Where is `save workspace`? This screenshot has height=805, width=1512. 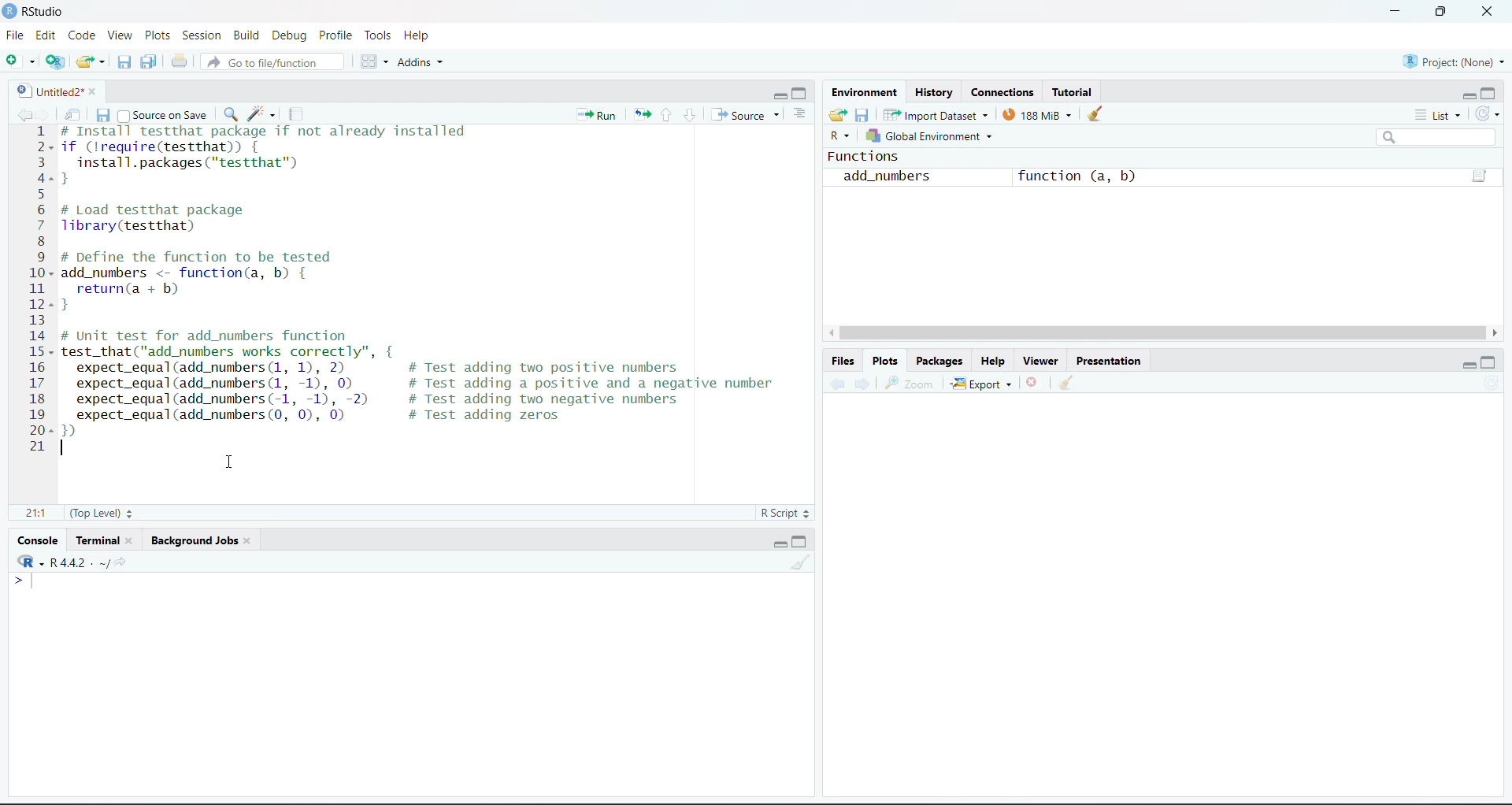 save workspace is located at coordinates (863, 116).